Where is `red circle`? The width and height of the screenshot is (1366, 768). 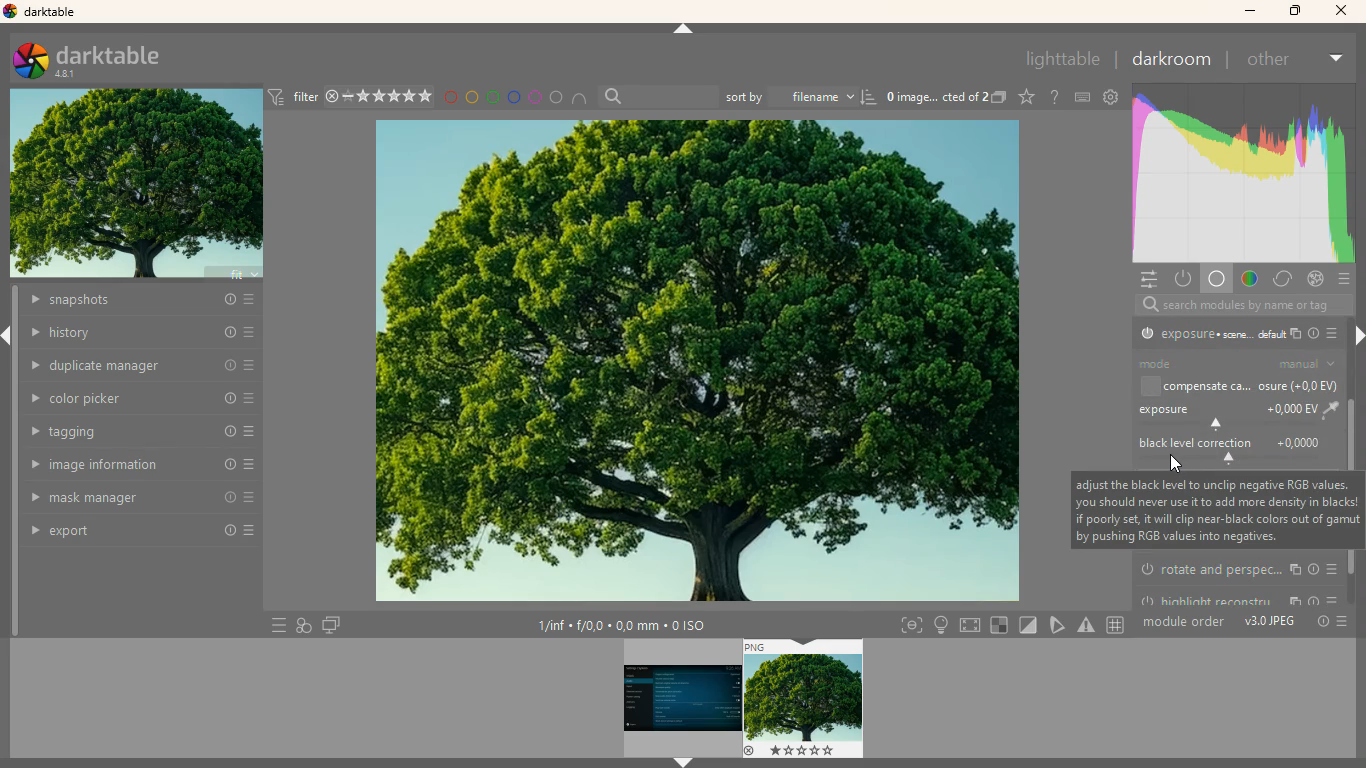 red circle is located at coordinates (450, 98).